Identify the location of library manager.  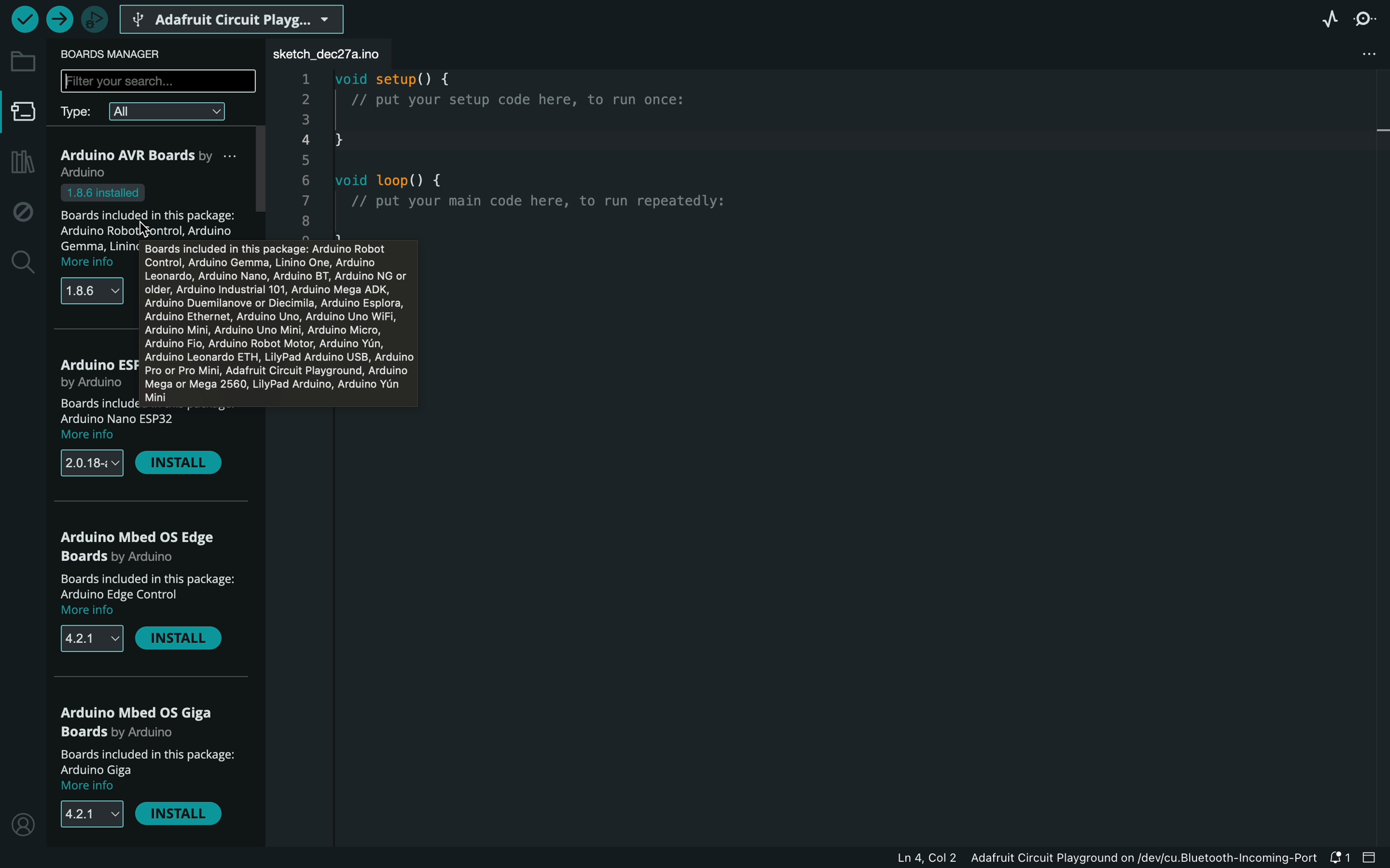
(22, 160).